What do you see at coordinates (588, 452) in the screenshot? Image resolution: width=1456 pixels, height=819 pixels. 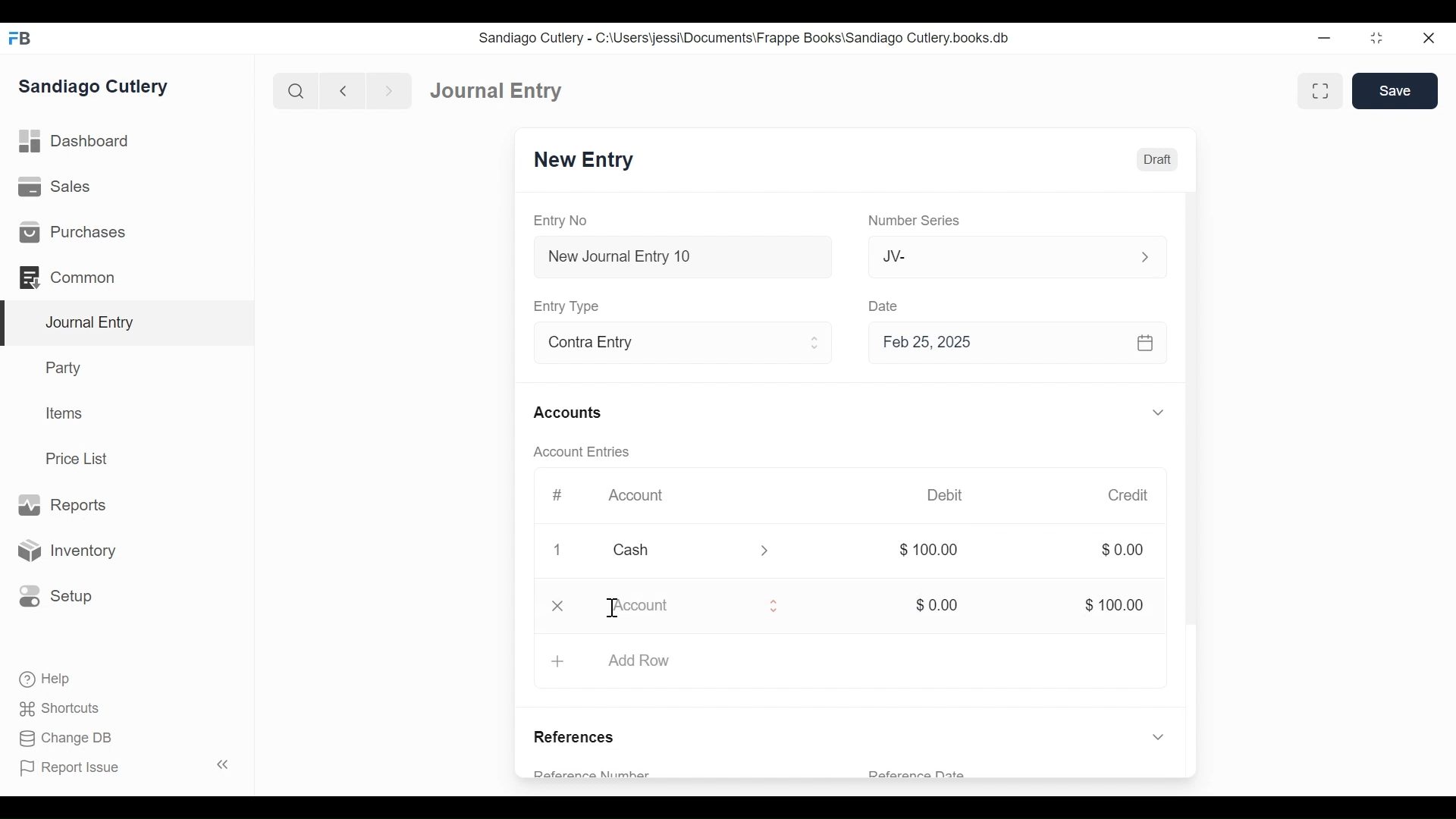 I see `Account Entries` at bounding box center [588, 452].